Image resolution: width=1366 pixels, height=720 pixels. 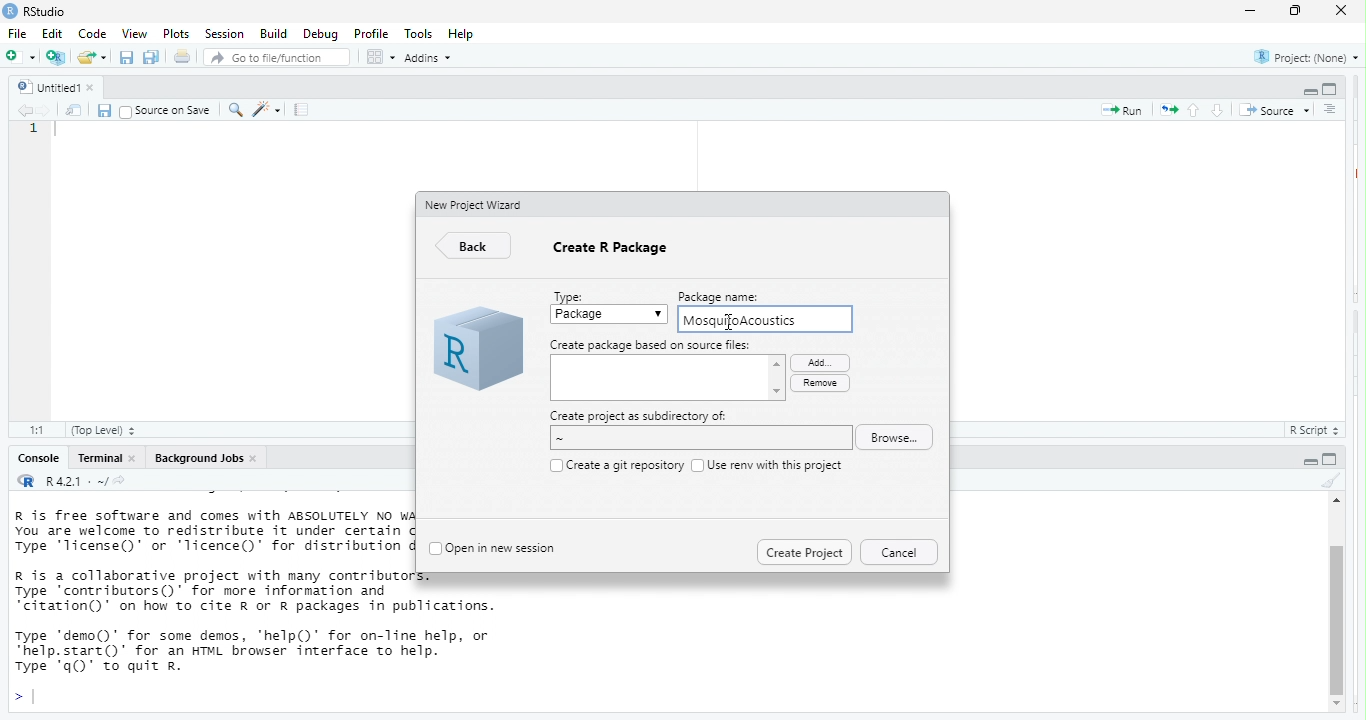 What do you see at coordinates (804, 550) in the screenshot?
I see ` Create Project ` at bounding box center [804, 550].